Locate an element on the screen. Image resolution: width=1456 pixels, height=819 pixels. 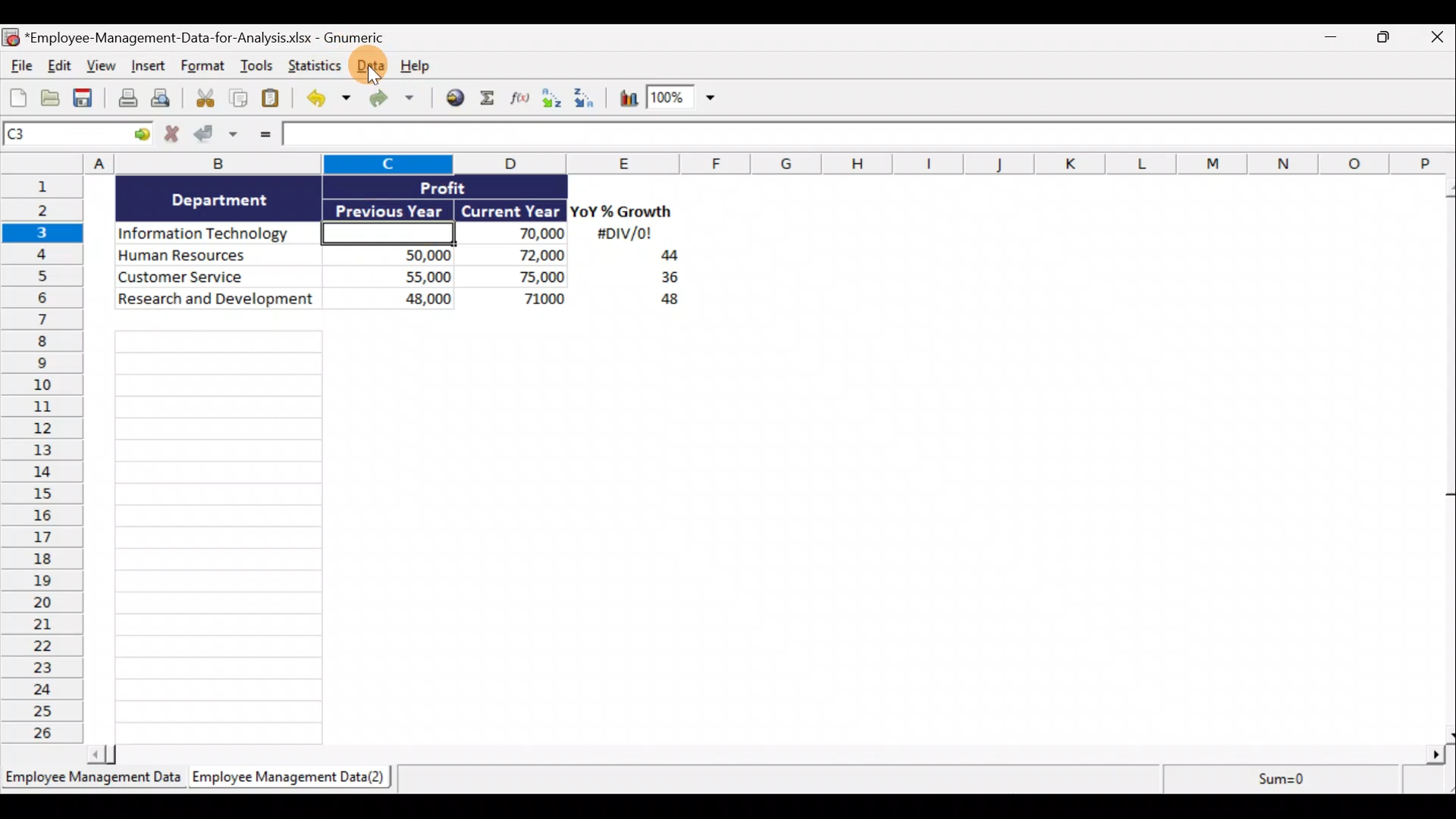
Sum into the current cell is located at coordinates (489, 99).